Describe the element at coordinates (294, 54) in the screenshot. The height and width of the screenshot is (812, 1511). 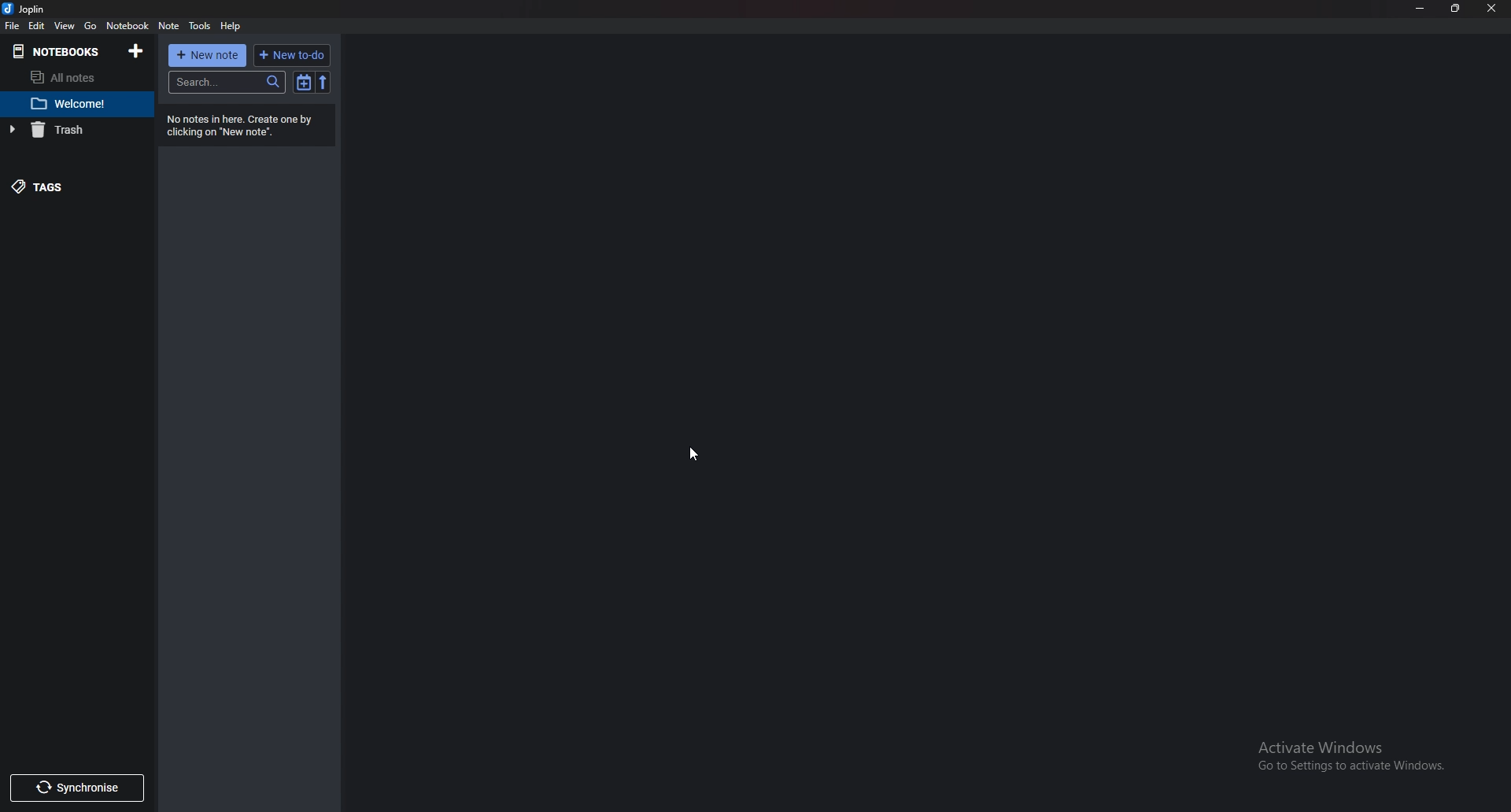
I see `New to do` at that location.